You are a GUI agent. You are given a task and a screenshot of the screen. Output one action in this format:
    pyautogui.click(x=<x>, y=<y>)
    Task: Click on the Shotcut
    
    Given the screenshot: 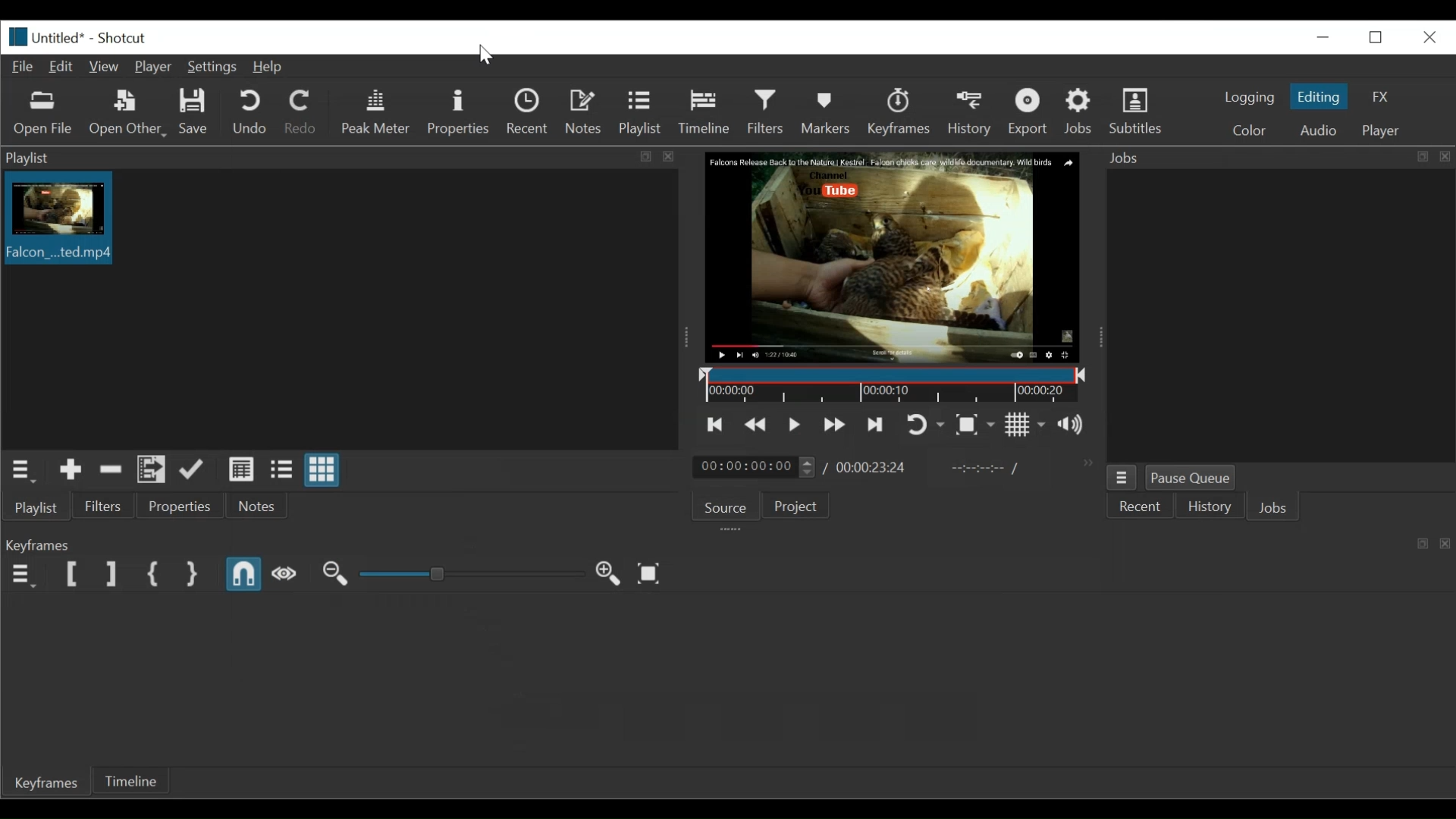 What is the action you would take?
    pyautogui.click(x=122, y=39)
    